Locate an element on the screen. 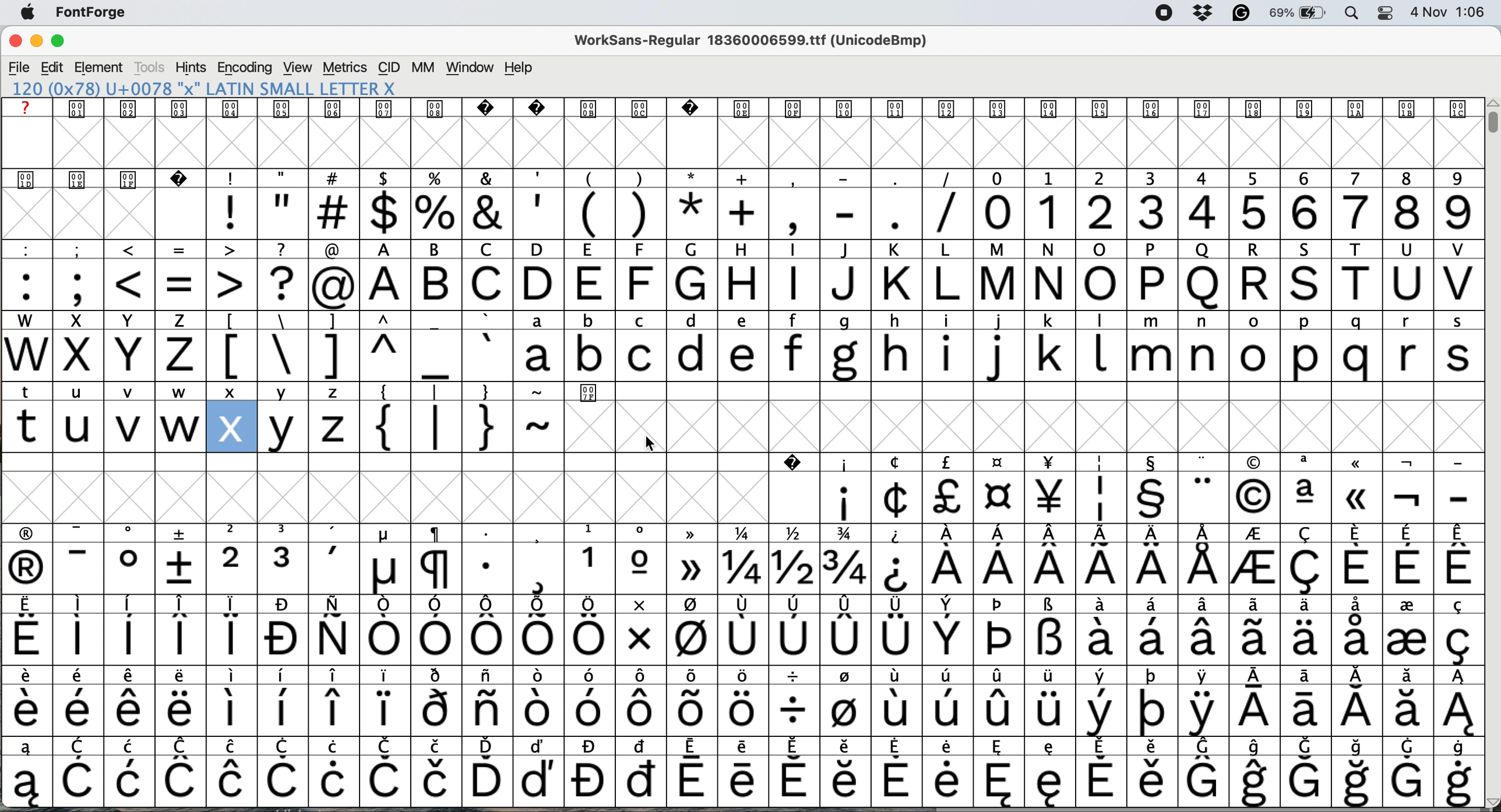  WorkSans-Regular 18360006599.ttf (UnicodeBmp) is located at coordinates (756, 43).